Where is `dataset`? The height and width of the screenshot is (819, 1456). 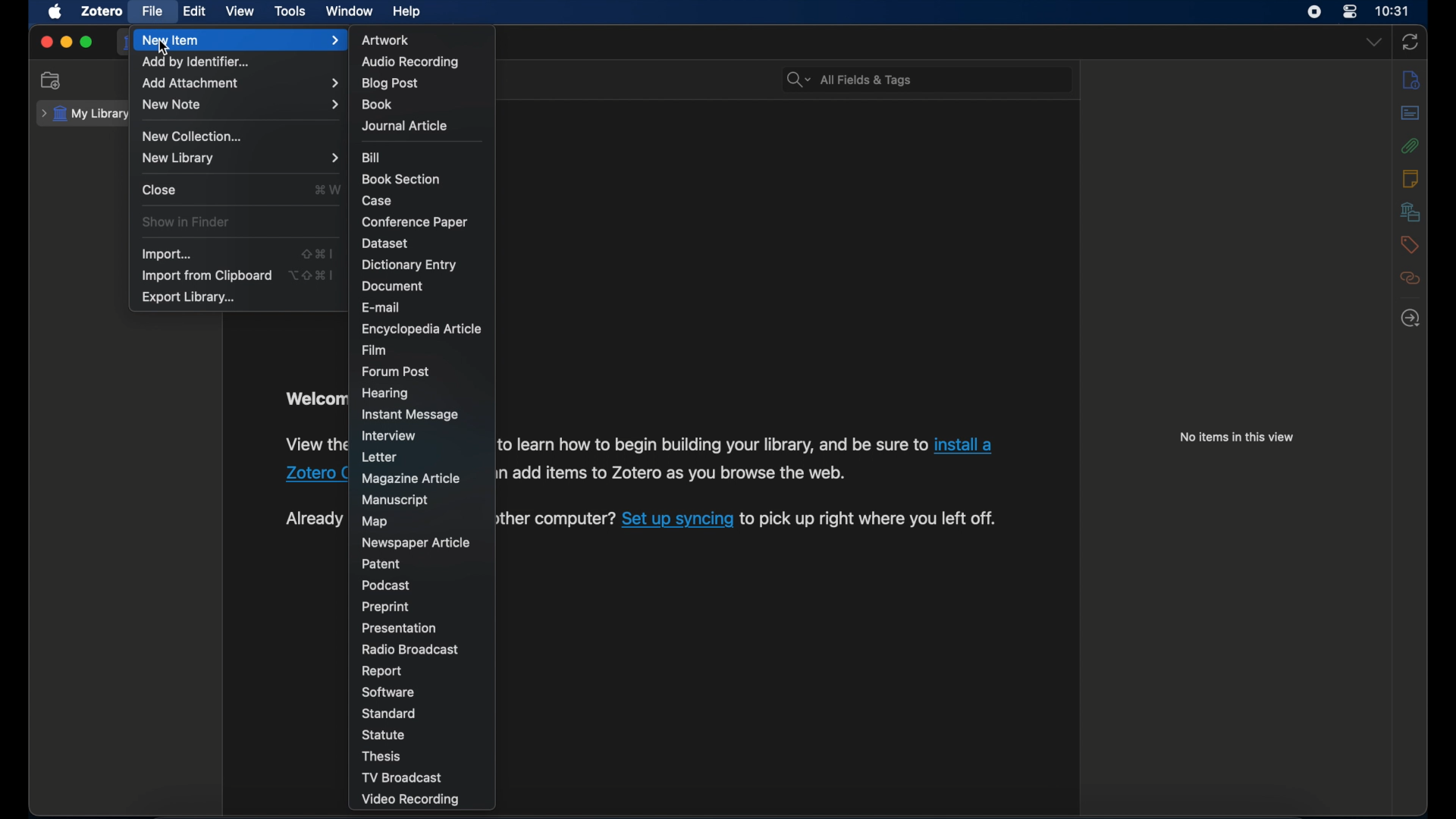 dataset is located at coordinates (385, 243).